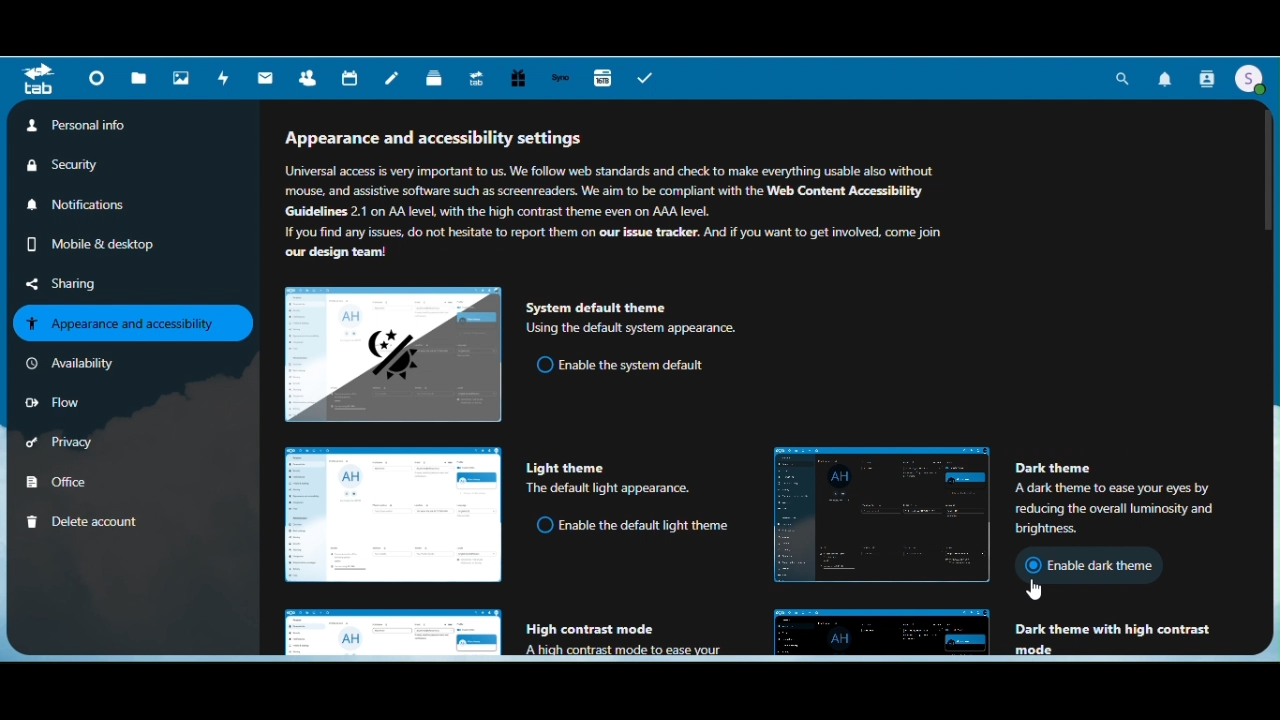 The width and height of the screenshot is (1280, 720). I want to click on Account icon, so click(1251, 80).